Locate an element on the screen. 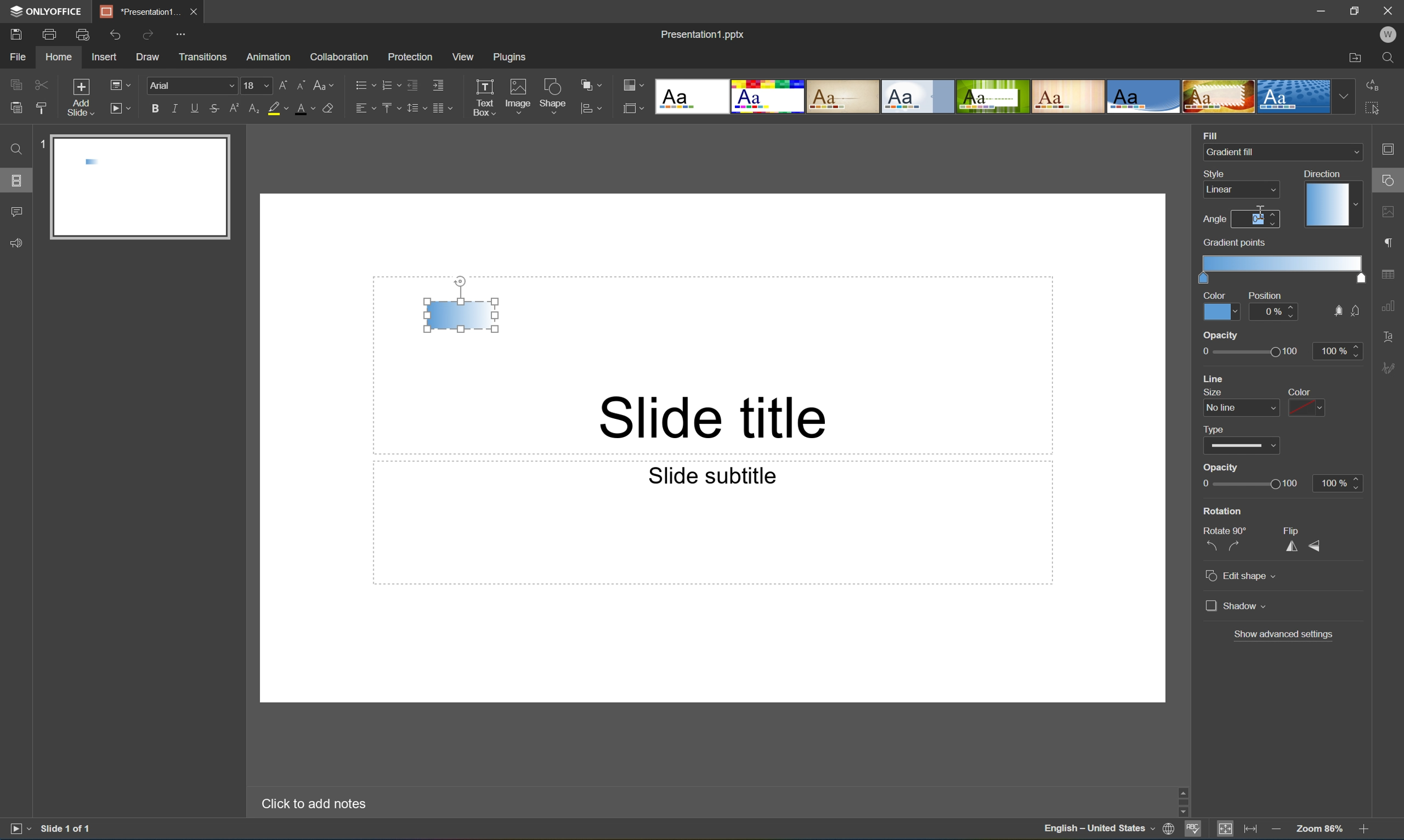 The image size is (1404, 840). Direction is located at coordinates (1321, 173).